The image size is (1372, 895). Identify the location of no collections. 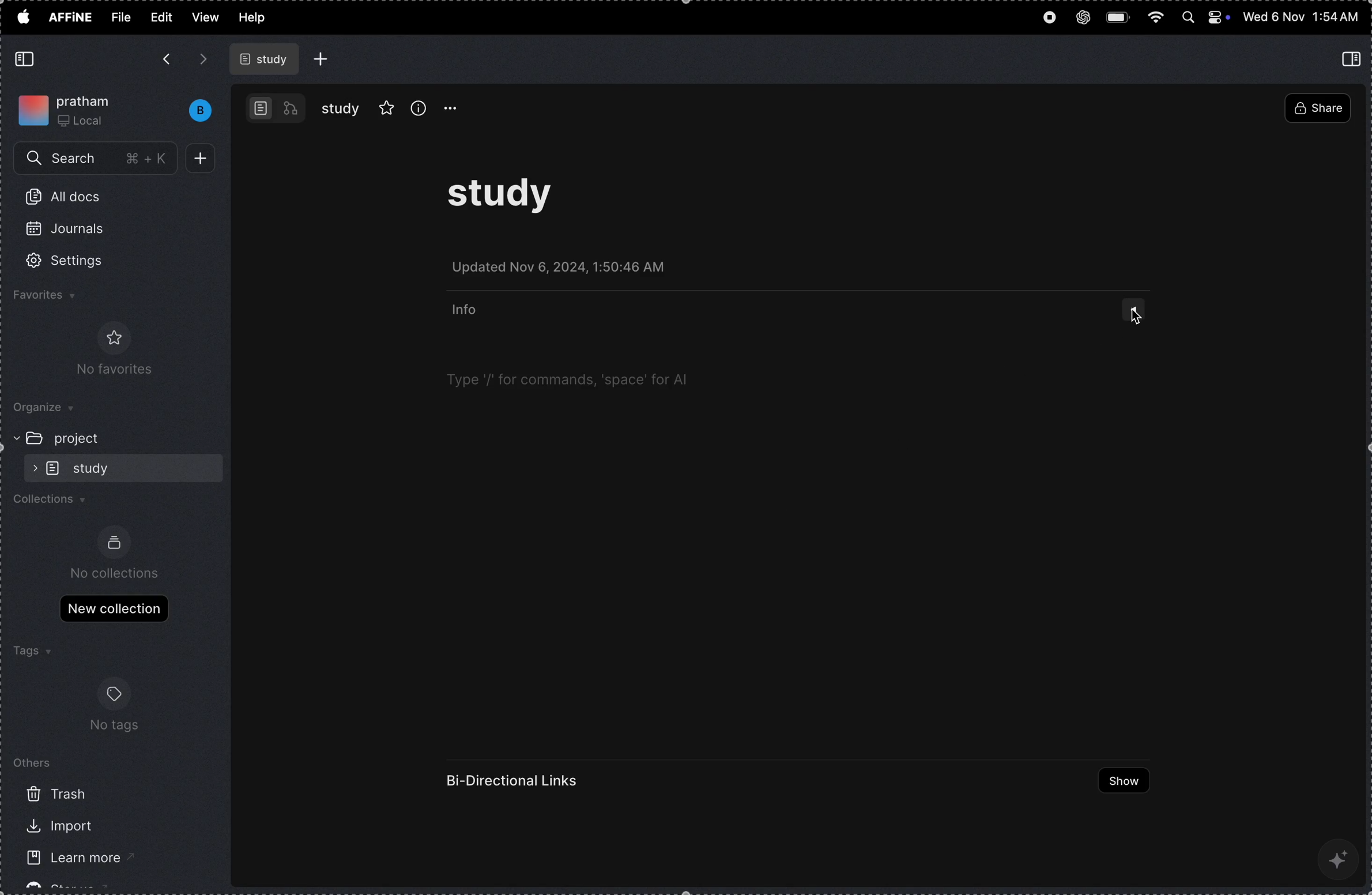
(116, 573).